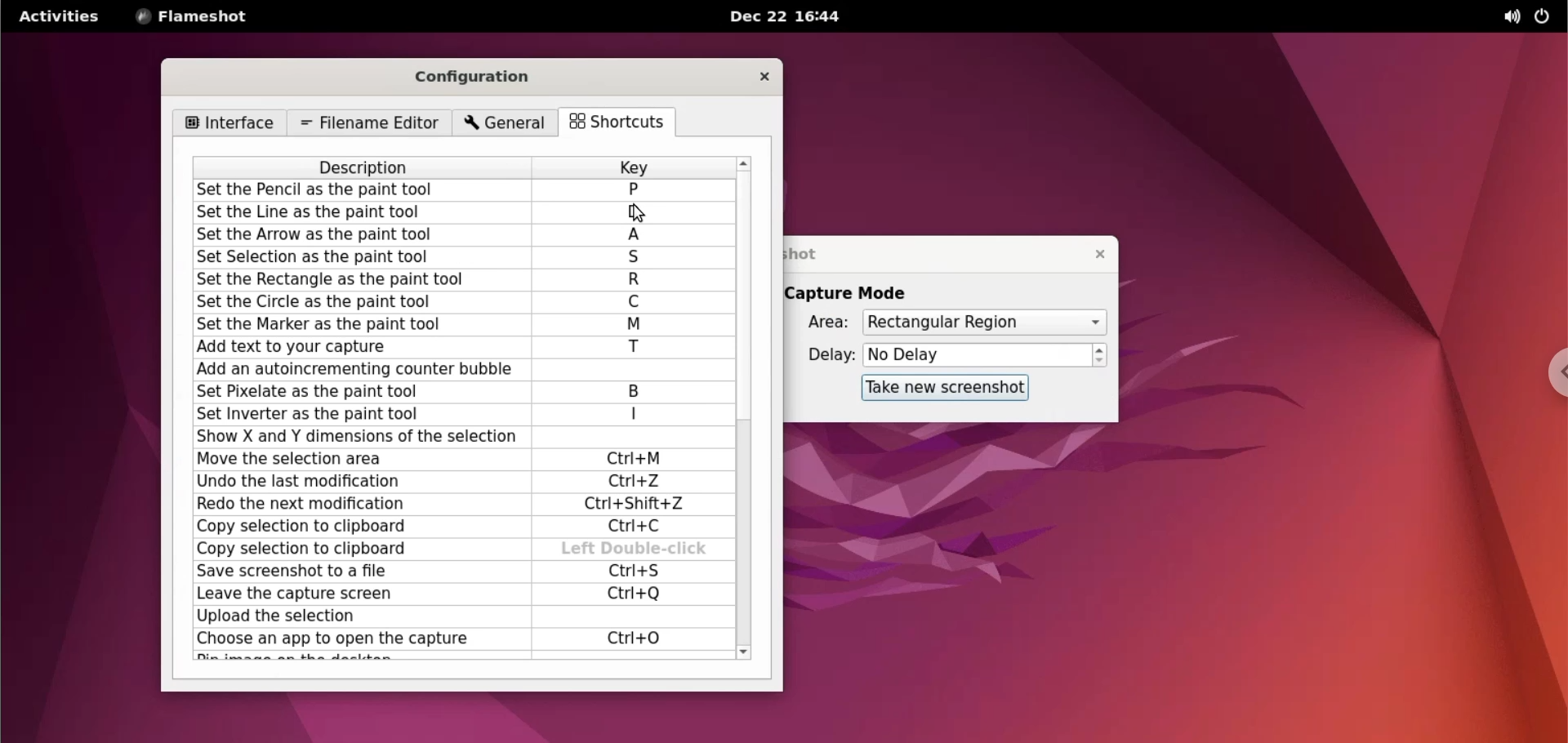 The height and width of the screenshot is (743, 1568). What do you see at coordinates (635, 414) in the screenshot?
I see `I ` at bounding box center [635, 414].